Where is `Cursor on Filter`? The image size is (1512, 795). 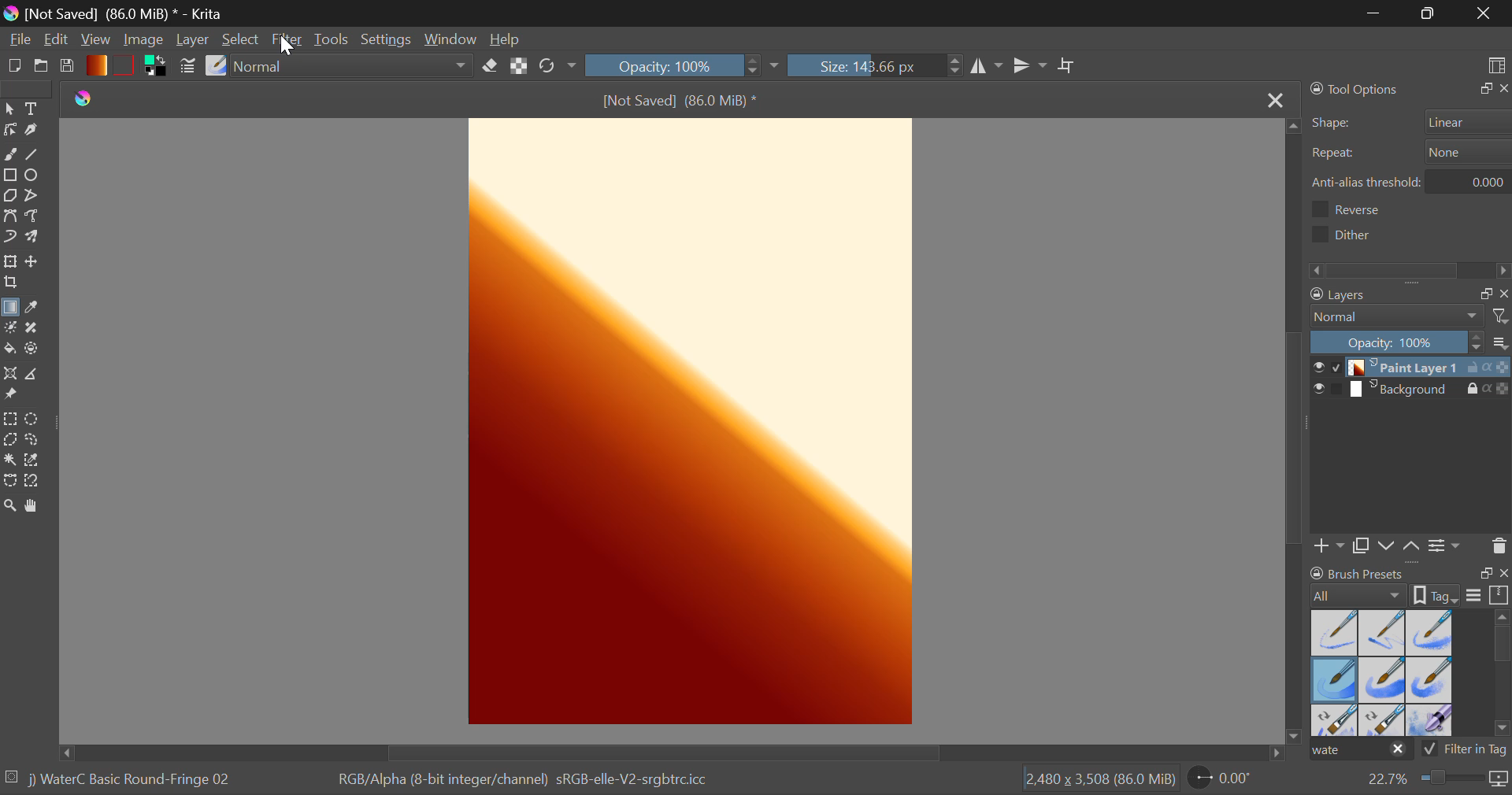 Cursor on Filter is located at coordinates (287, 39).